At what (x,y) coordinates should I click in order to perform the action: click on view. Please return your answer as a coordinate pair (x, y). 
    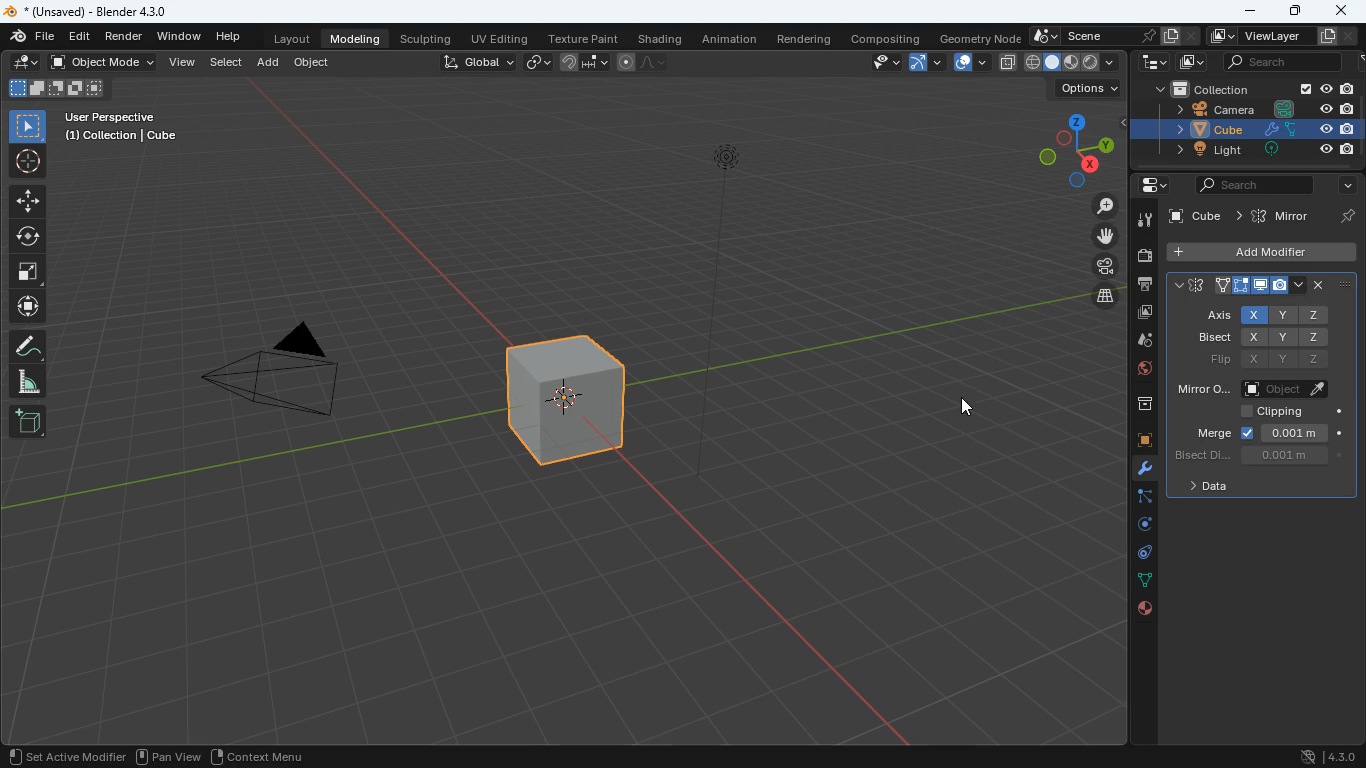
    Looking at the image, I should click on (872, 63).